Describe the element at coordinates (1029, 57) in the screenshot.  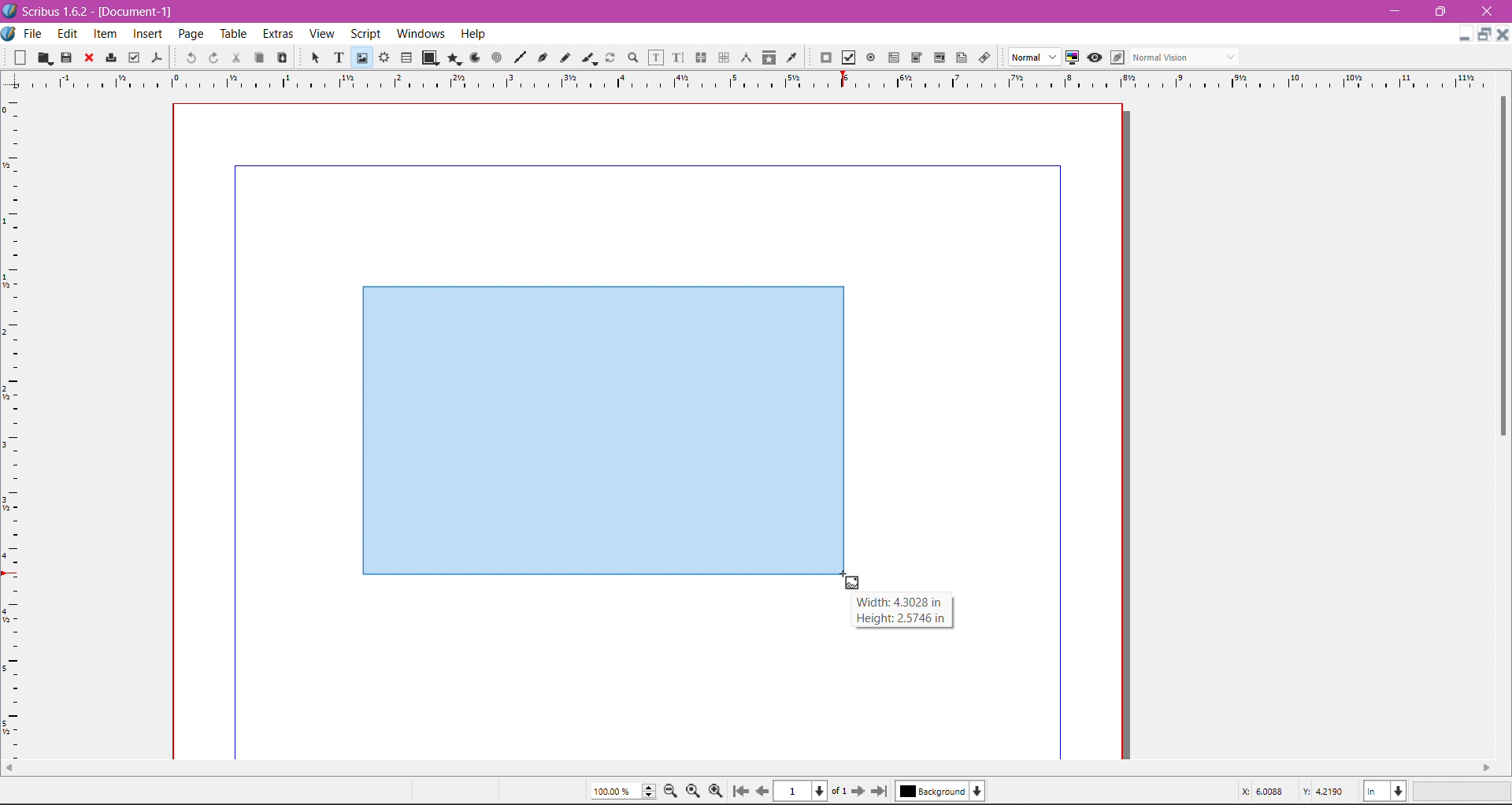
I see `Select the image preview quality` at that location.